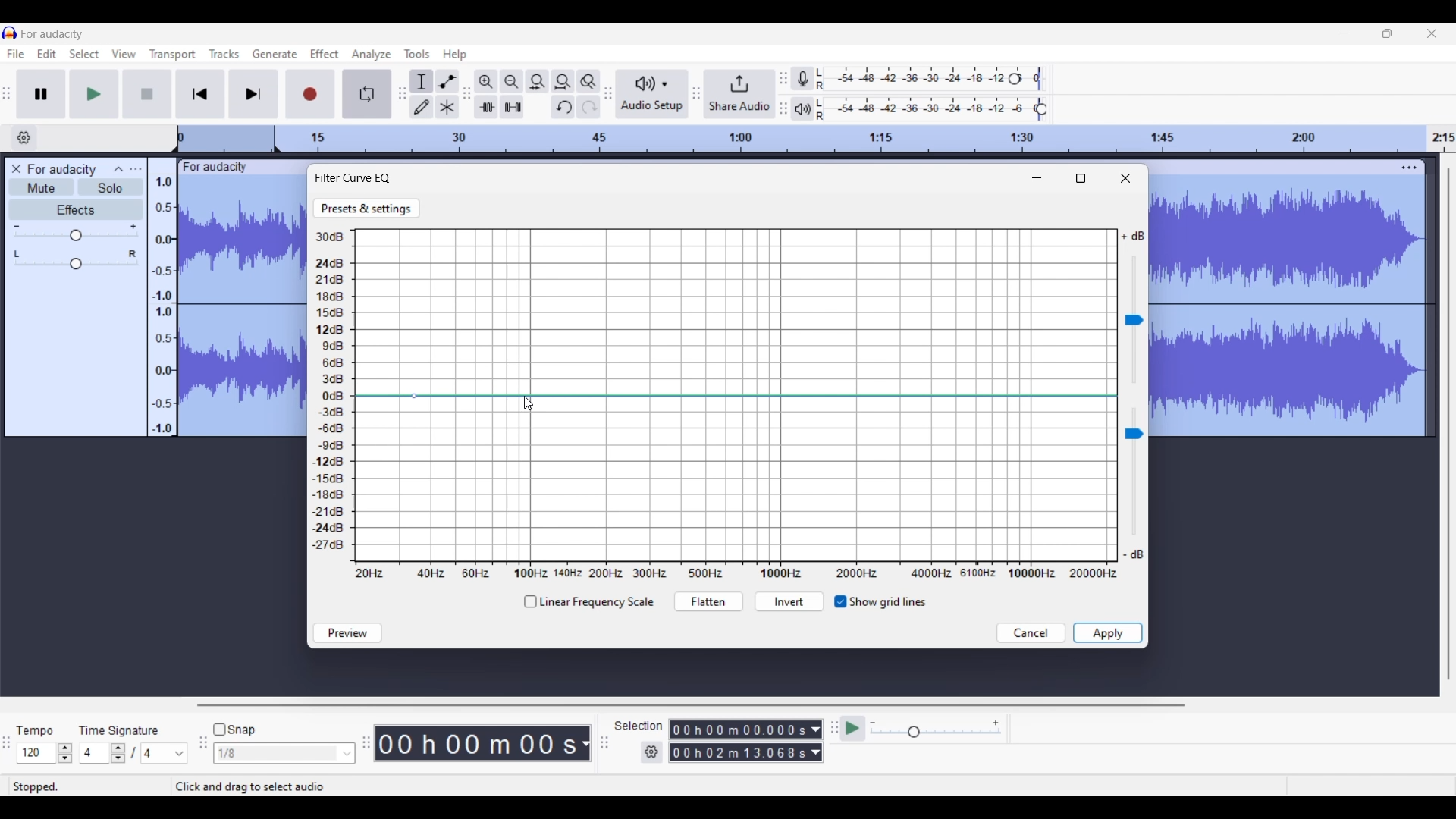 This screenshot has width=1456, height=819. Describe the element at coordinates (119, 168) in the screenshot. I see `Collapse` at that location.